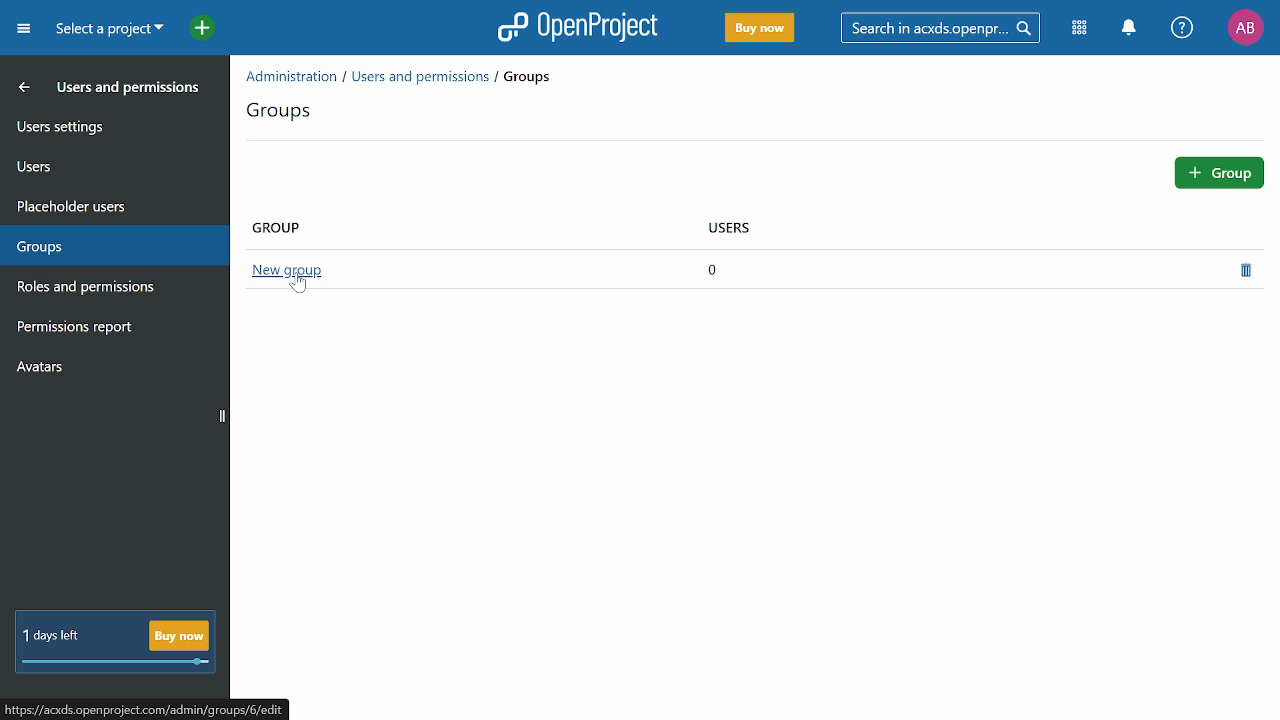  Describe the element at coordinates (109, 242) in the screenshot. I see `Groups` at that location.